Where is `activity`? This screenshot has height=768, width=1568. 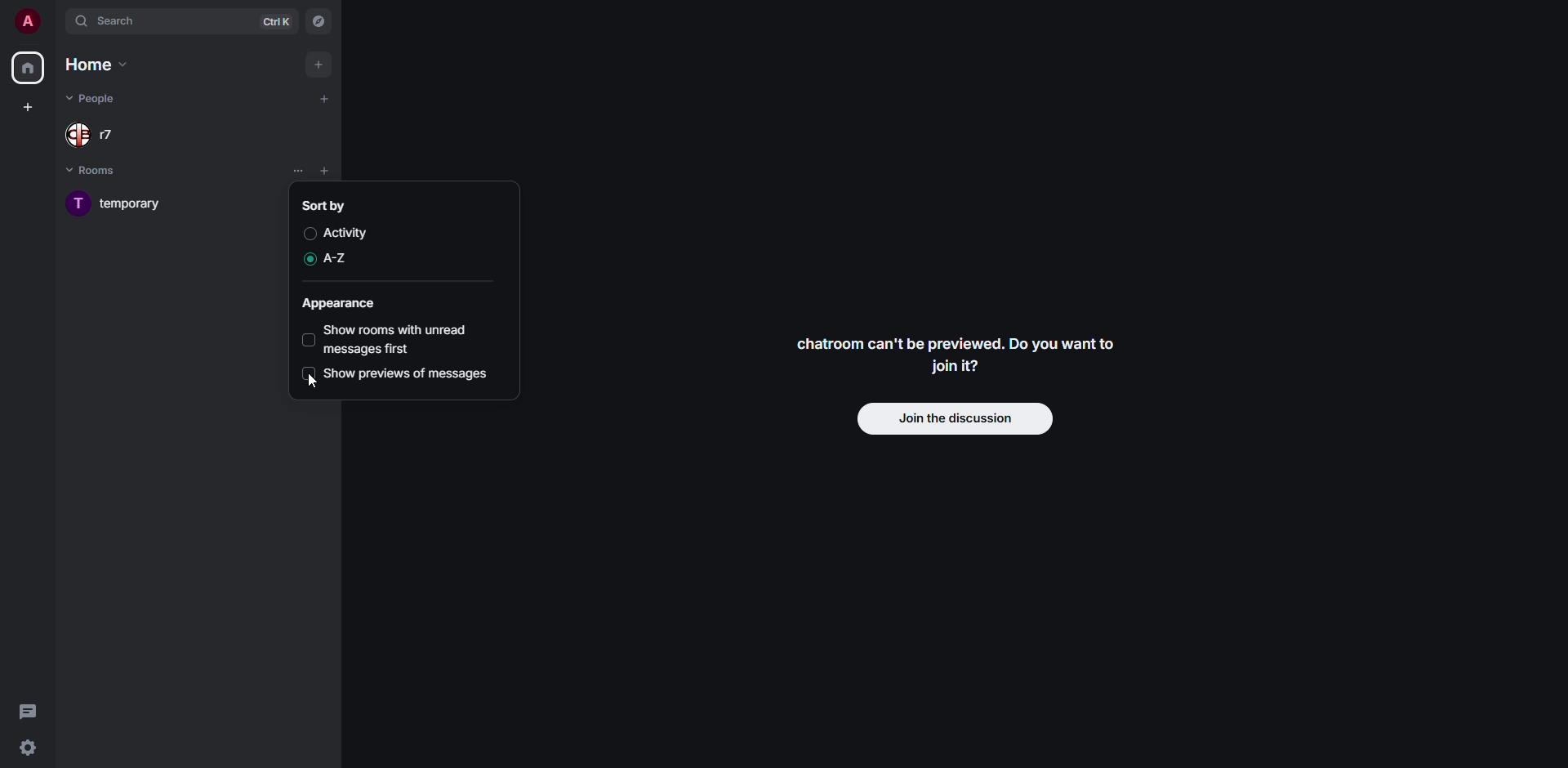
activity is located at coordinates (354, 232).